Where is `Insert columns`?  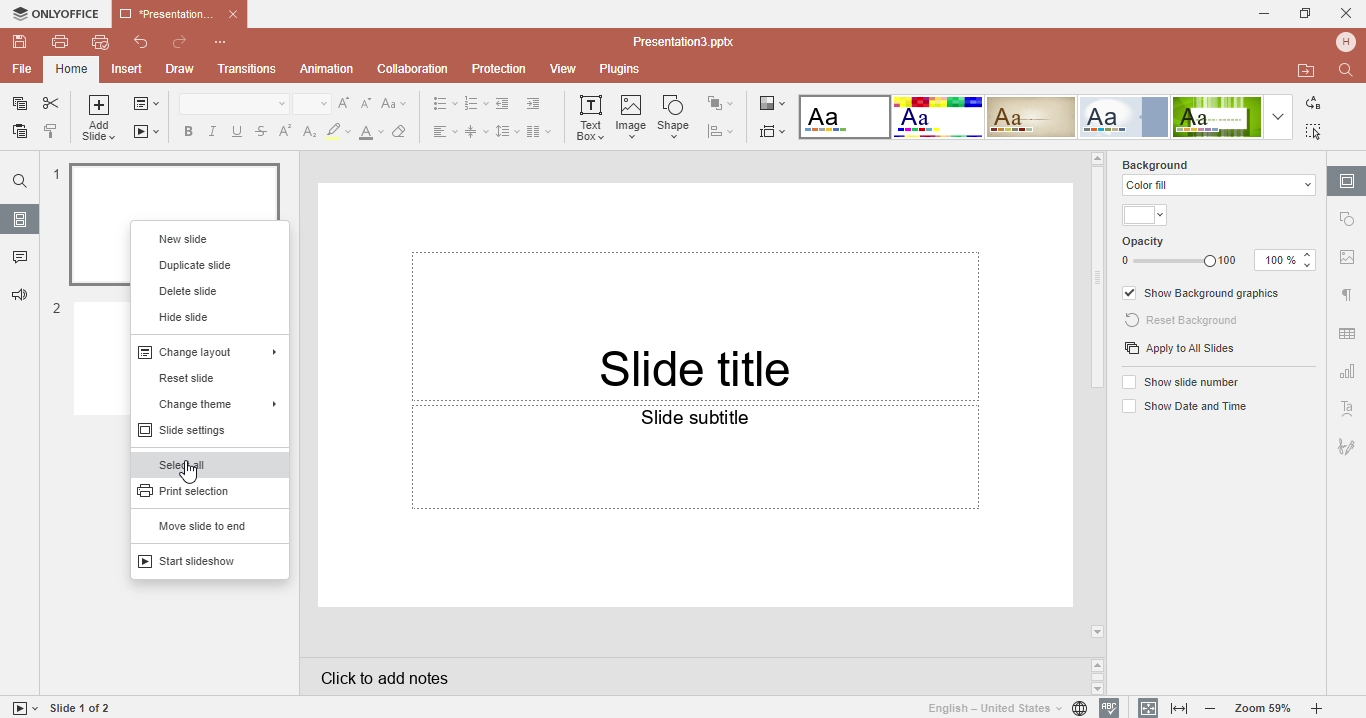 Insert columns is located at coordinates (540, 130).